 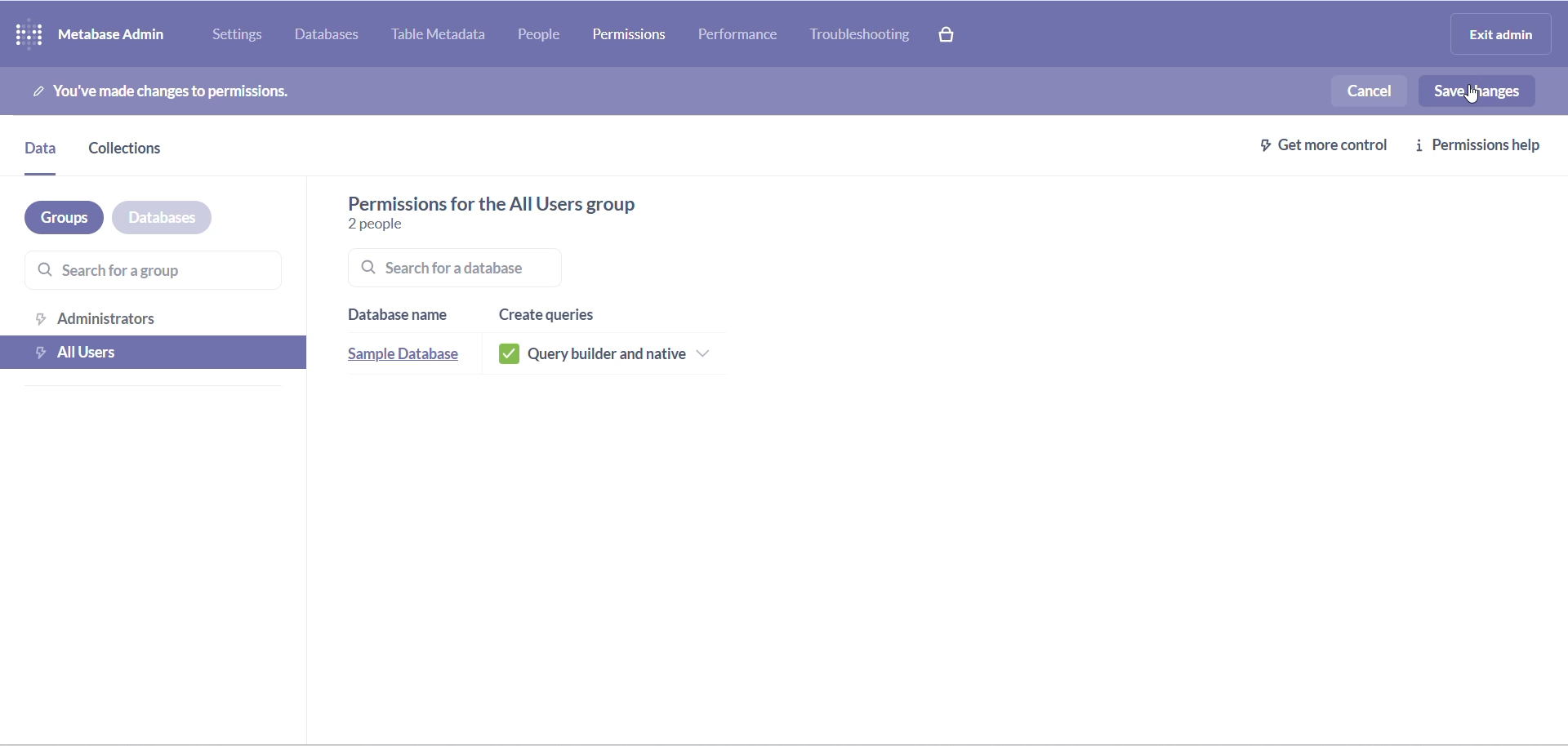 What do you see at coordinates (95, 33) in the screenshot?
I see `logo and name` at bounding box center [95, 33].